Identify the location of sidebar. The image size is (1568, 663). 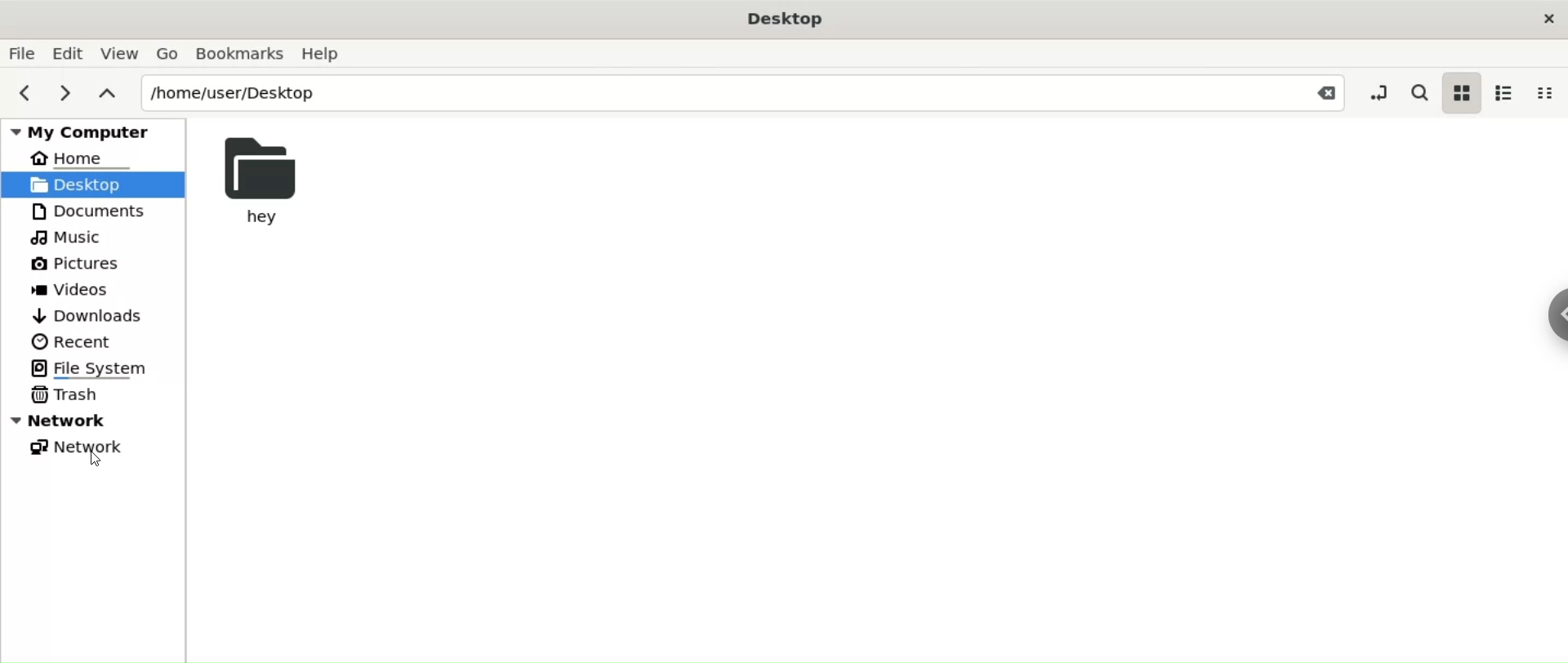
(1556, 315).